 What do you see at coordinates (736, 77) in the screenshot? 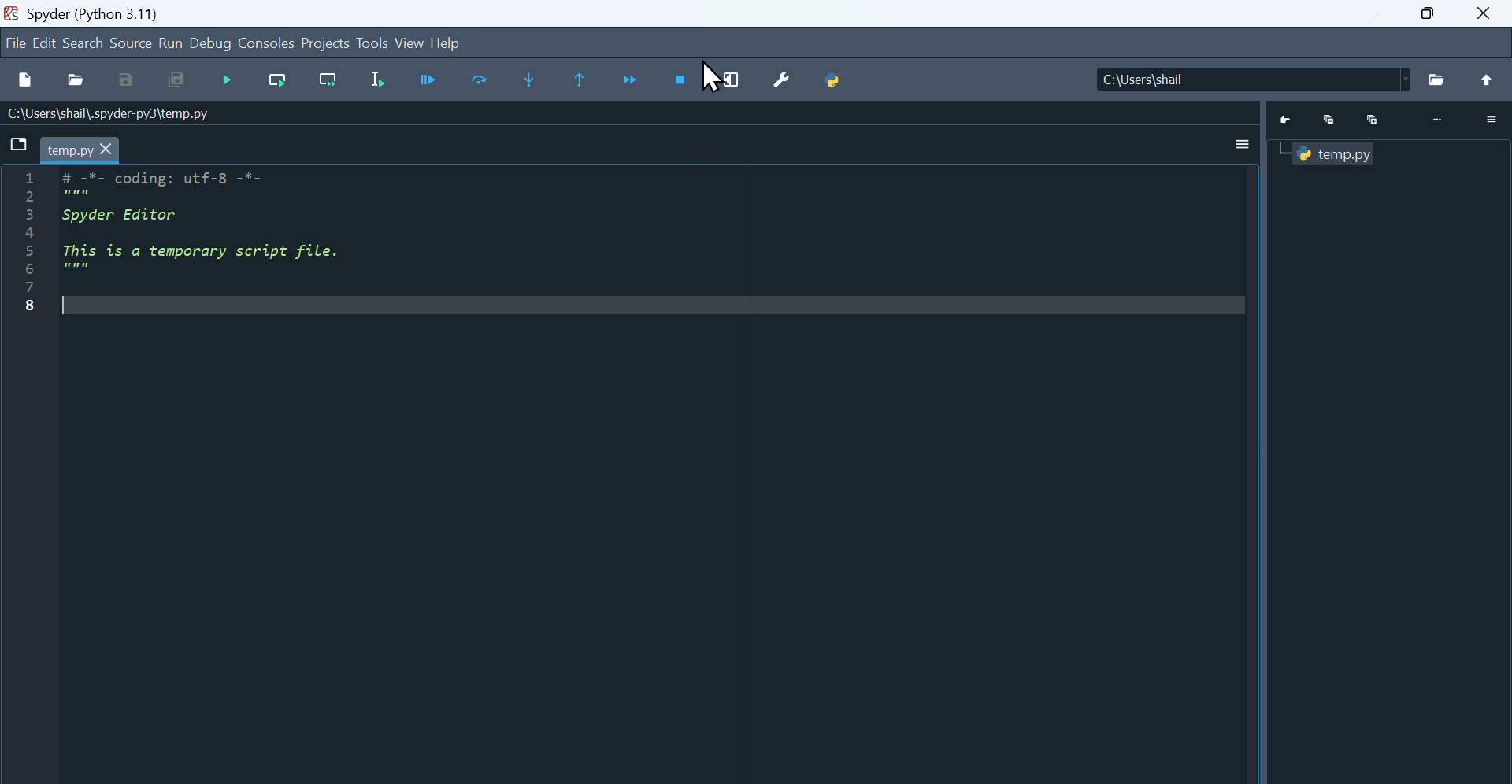
I see `Maximise current window` at bounding box center [736, 77].